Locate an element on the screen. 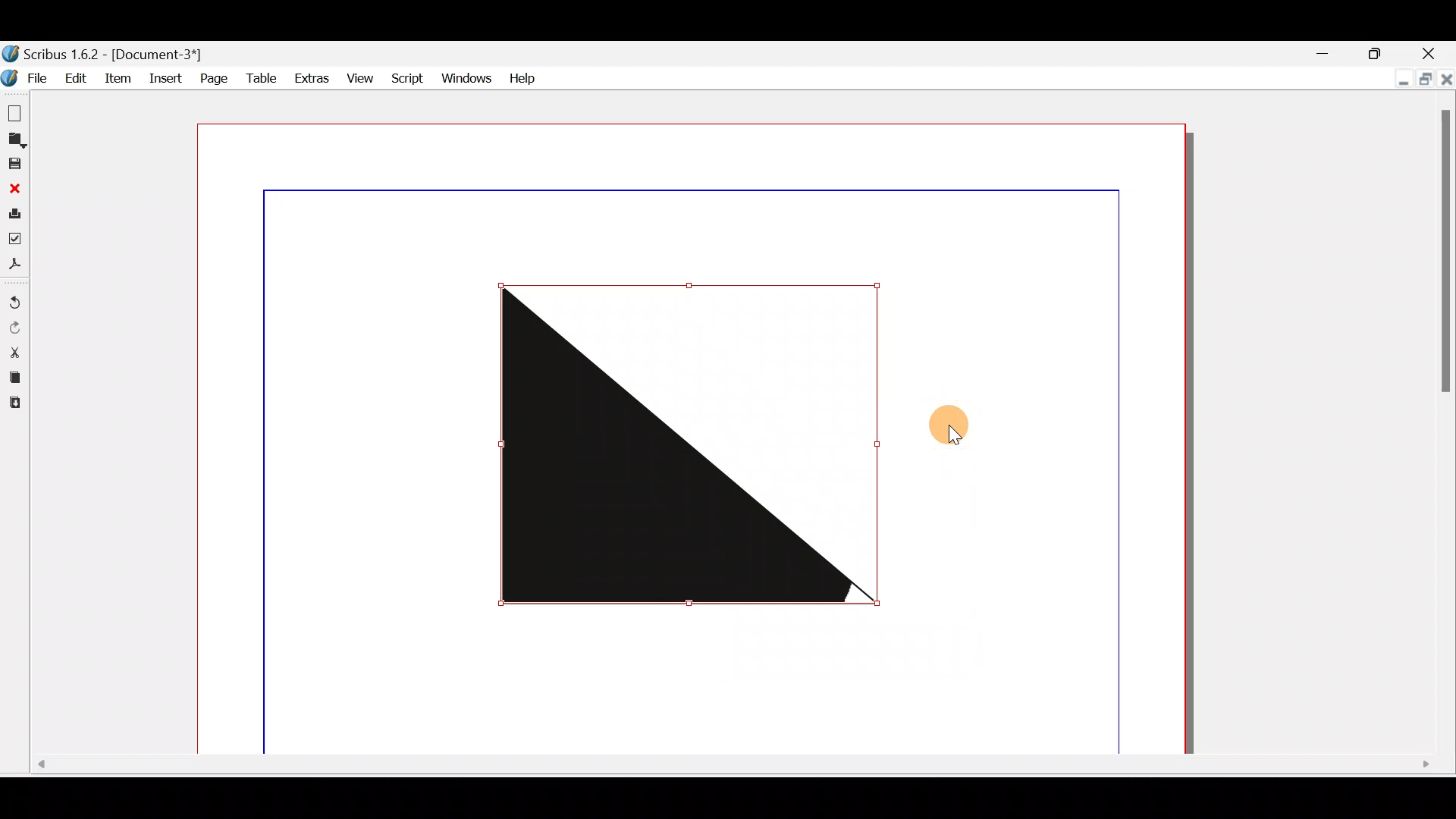  Help is located at coordinates (522, 77).